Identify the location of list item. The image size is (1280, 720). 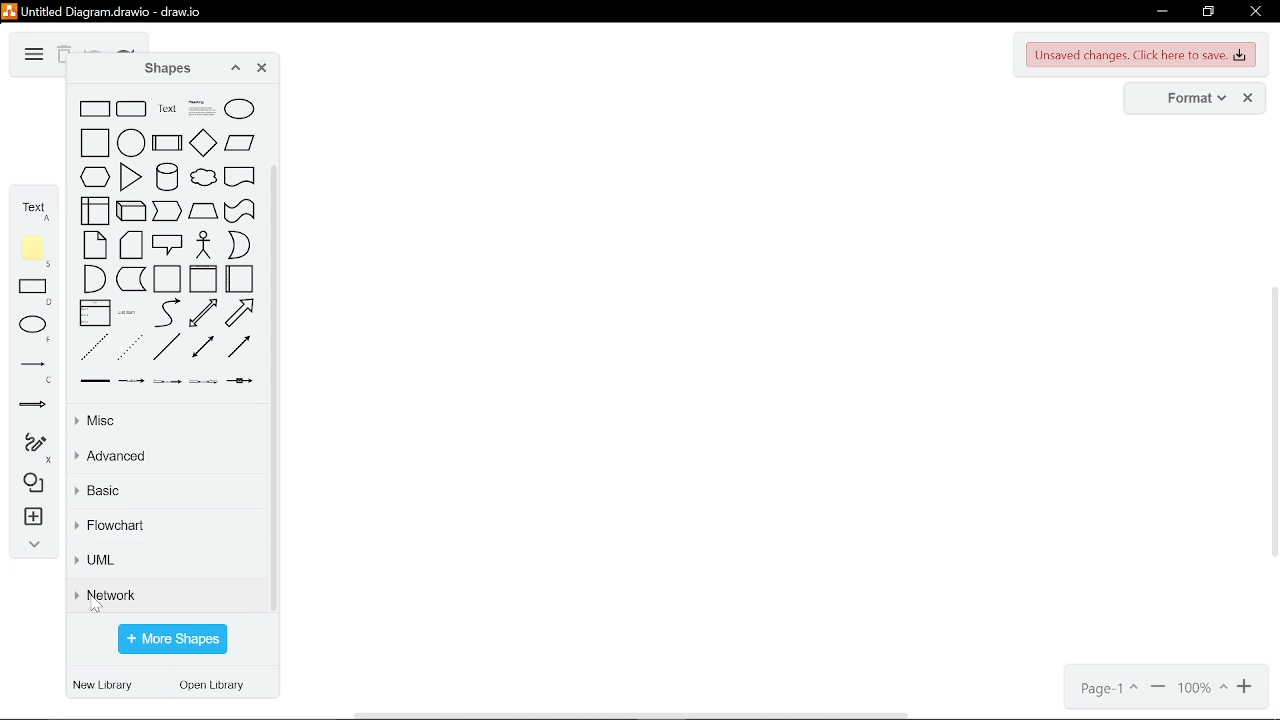
(127, 313).